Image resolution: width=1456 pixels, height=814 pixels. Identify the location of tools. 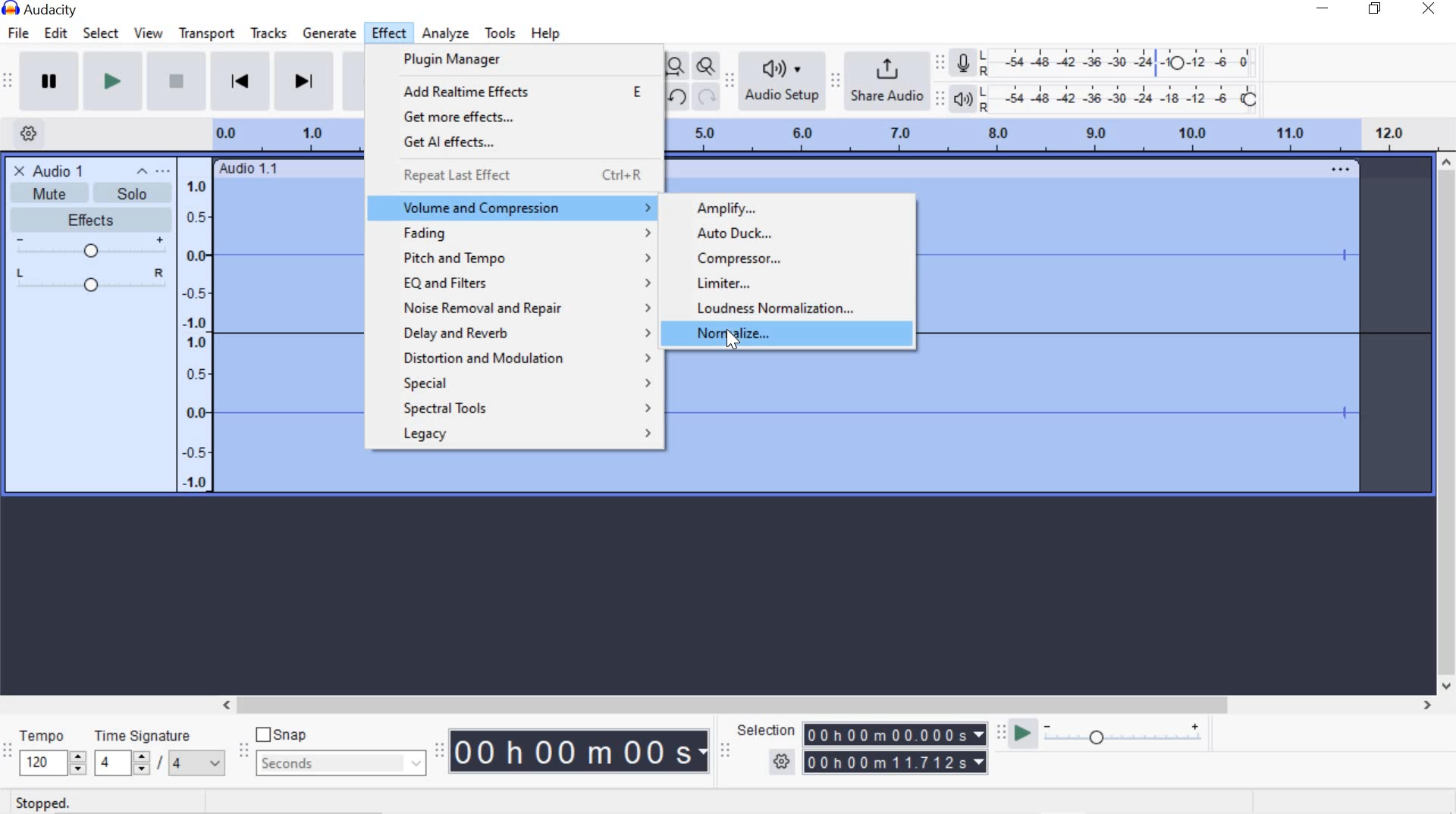
(500, 33).